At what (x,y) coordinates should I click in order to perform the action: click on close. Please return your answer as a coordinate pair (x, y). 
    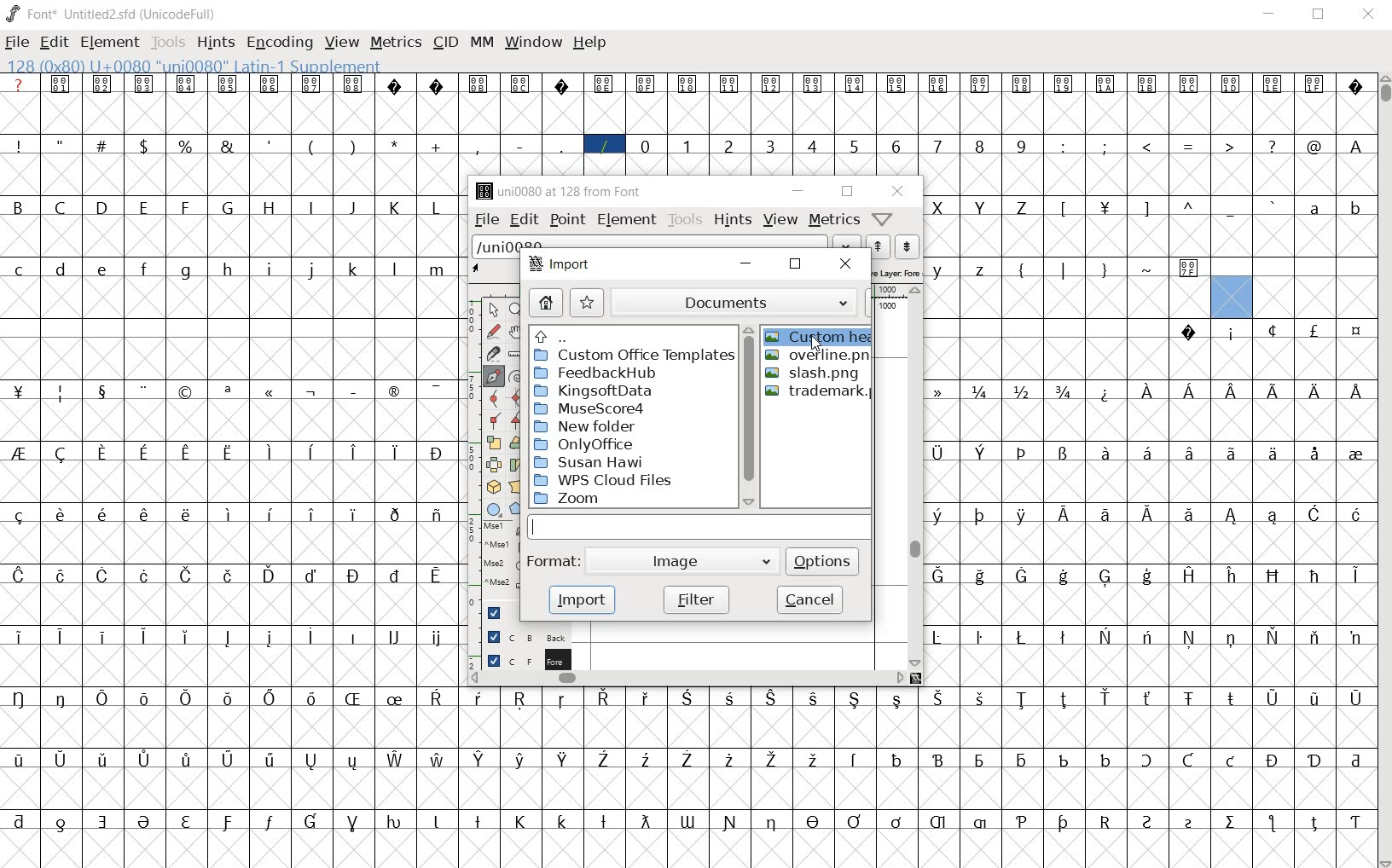
    Looking at the image, I should click on (898, 190).